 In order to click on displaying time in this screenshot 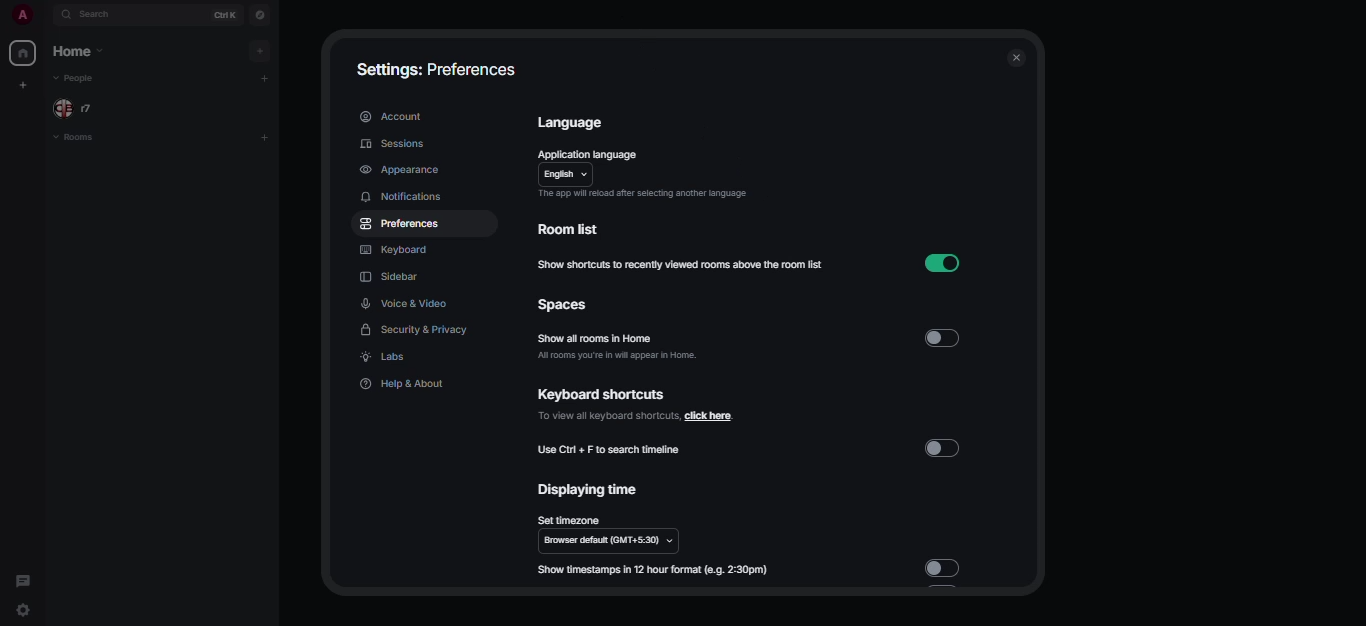, I will do `click(583, 490)`.